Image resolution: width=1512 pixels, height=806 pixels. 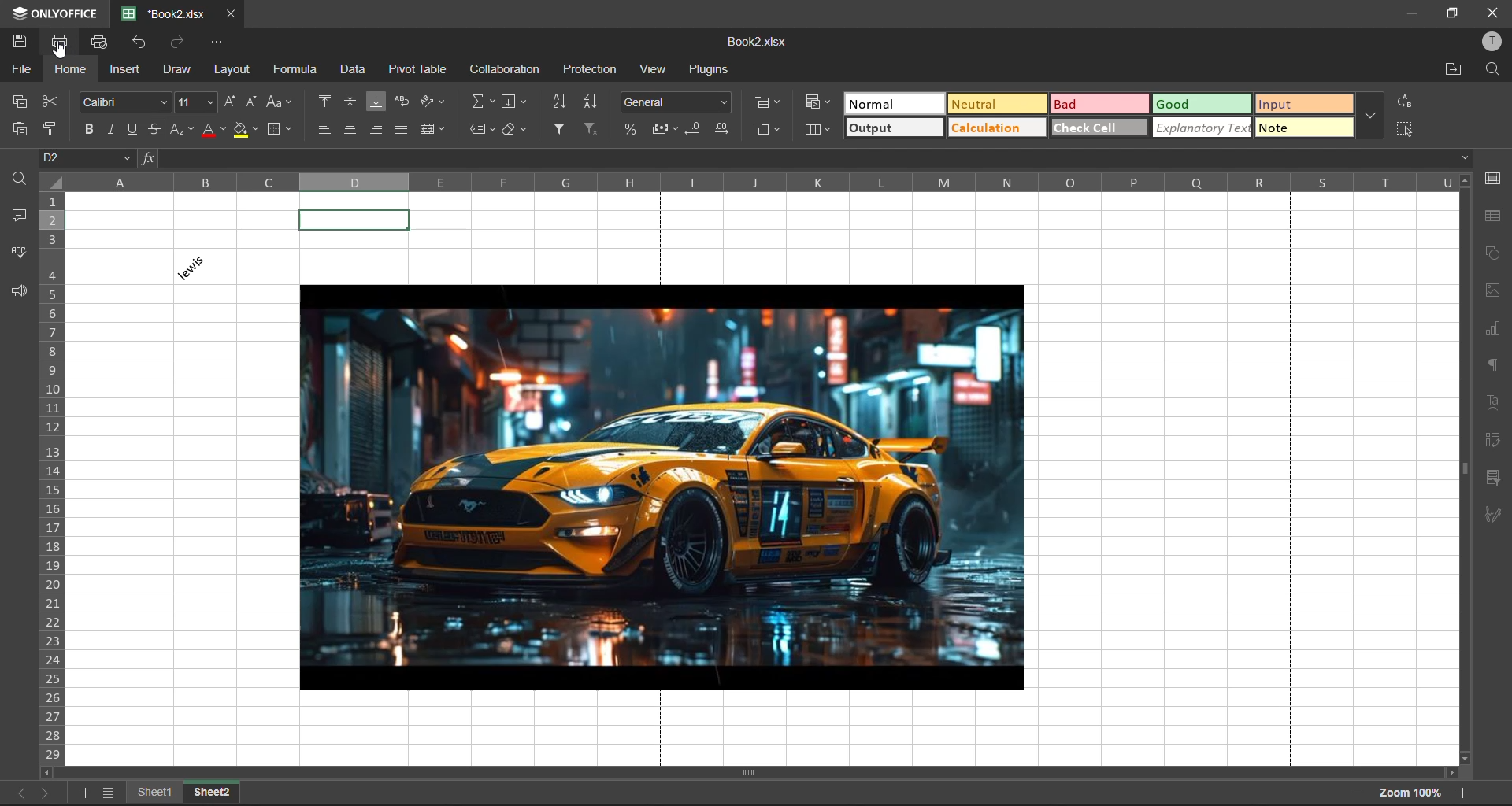 I want to click on customize quick access toolbar, so click(x=218, y=43).